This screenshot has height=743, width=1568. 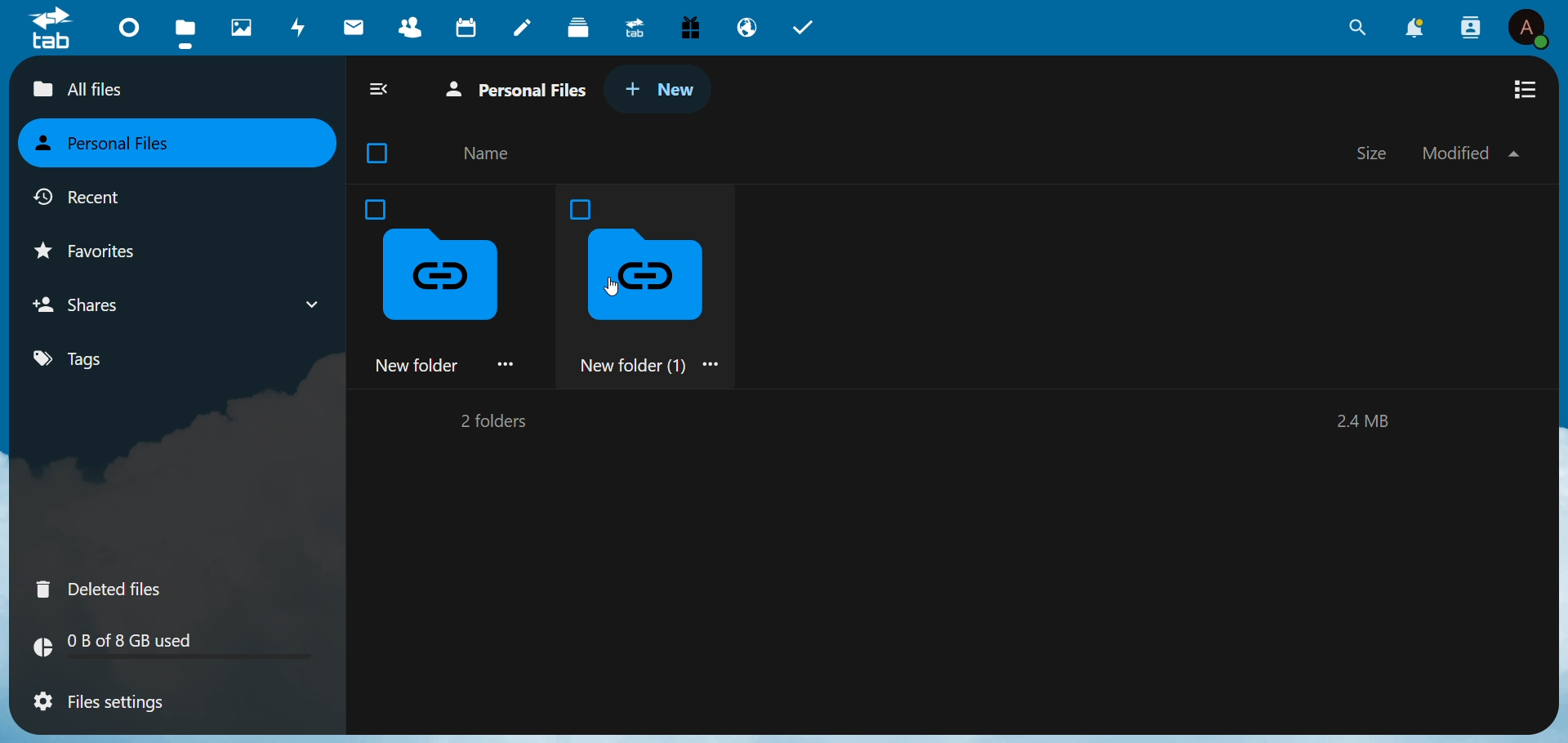 What do you see at coordinates (313, 305) in the screenshot?
I see `dropdown` at bounding box center [313, 305].